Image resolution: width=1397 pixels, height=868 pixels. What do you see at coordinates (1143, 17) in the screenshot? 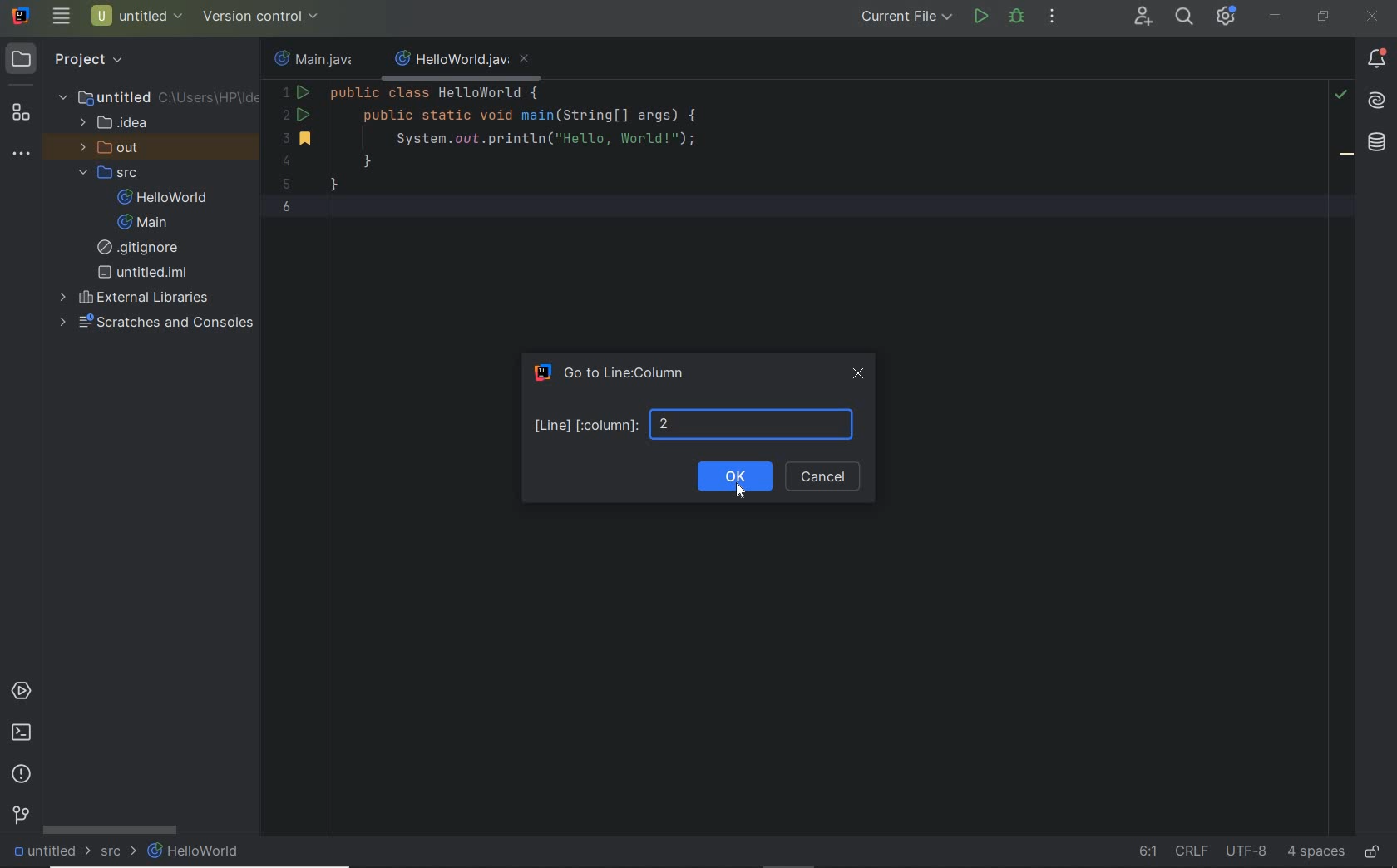
I see `code with me` at bounding box center [1143, 17].